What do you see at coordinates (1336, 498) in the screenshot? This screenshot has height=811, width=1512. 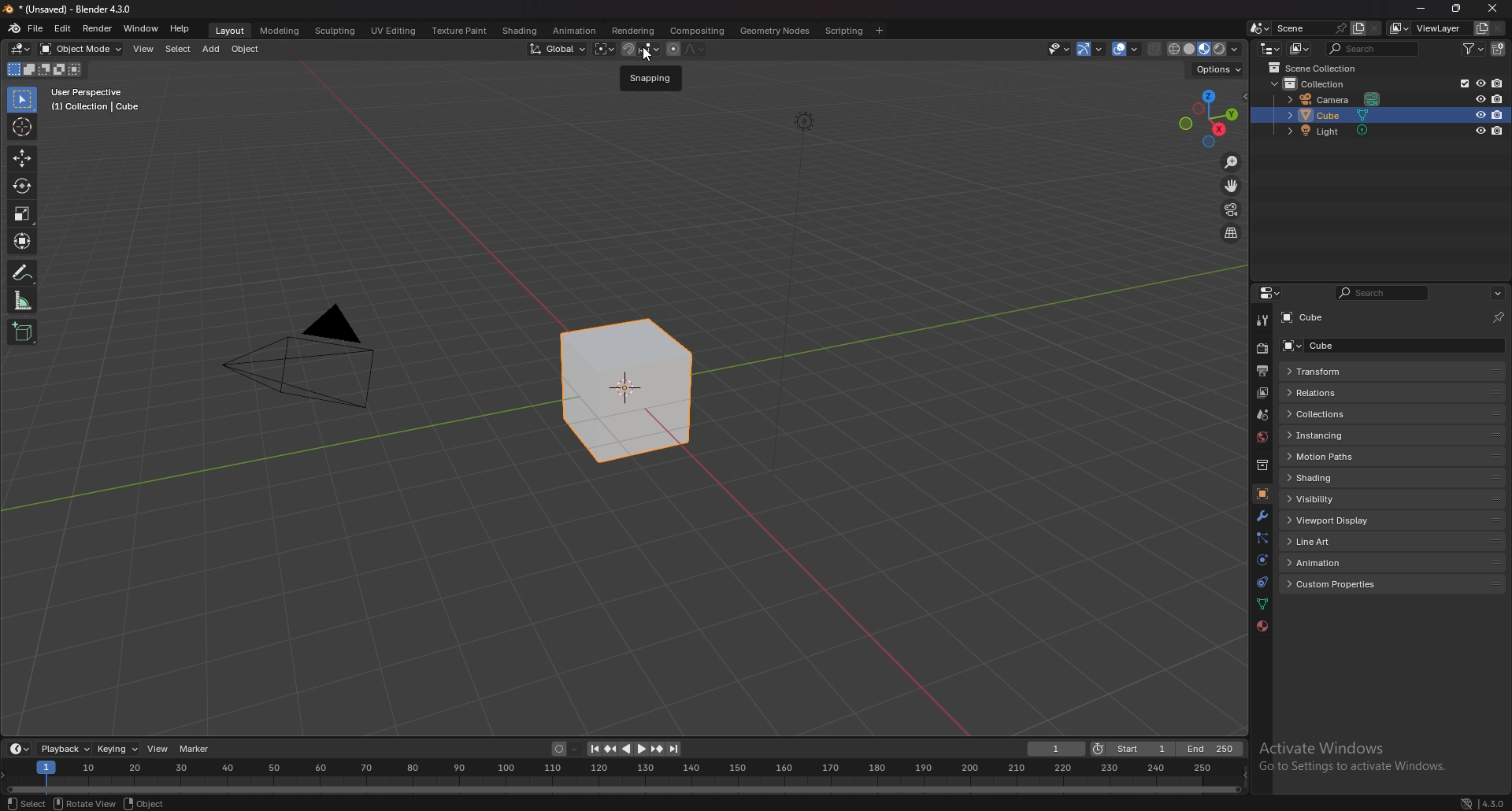 I see `visibility` at bounding box center [1336, 498].